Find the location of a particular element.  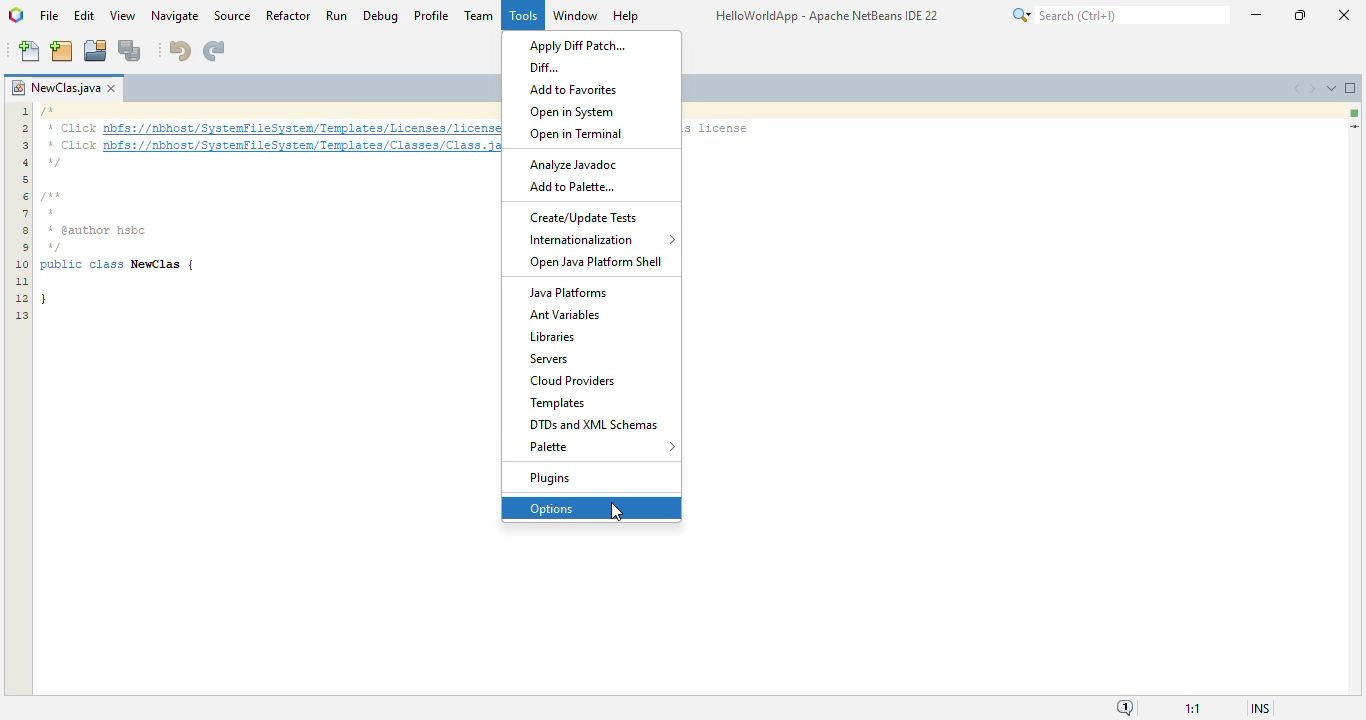

source is located at coordinates (233, 16).